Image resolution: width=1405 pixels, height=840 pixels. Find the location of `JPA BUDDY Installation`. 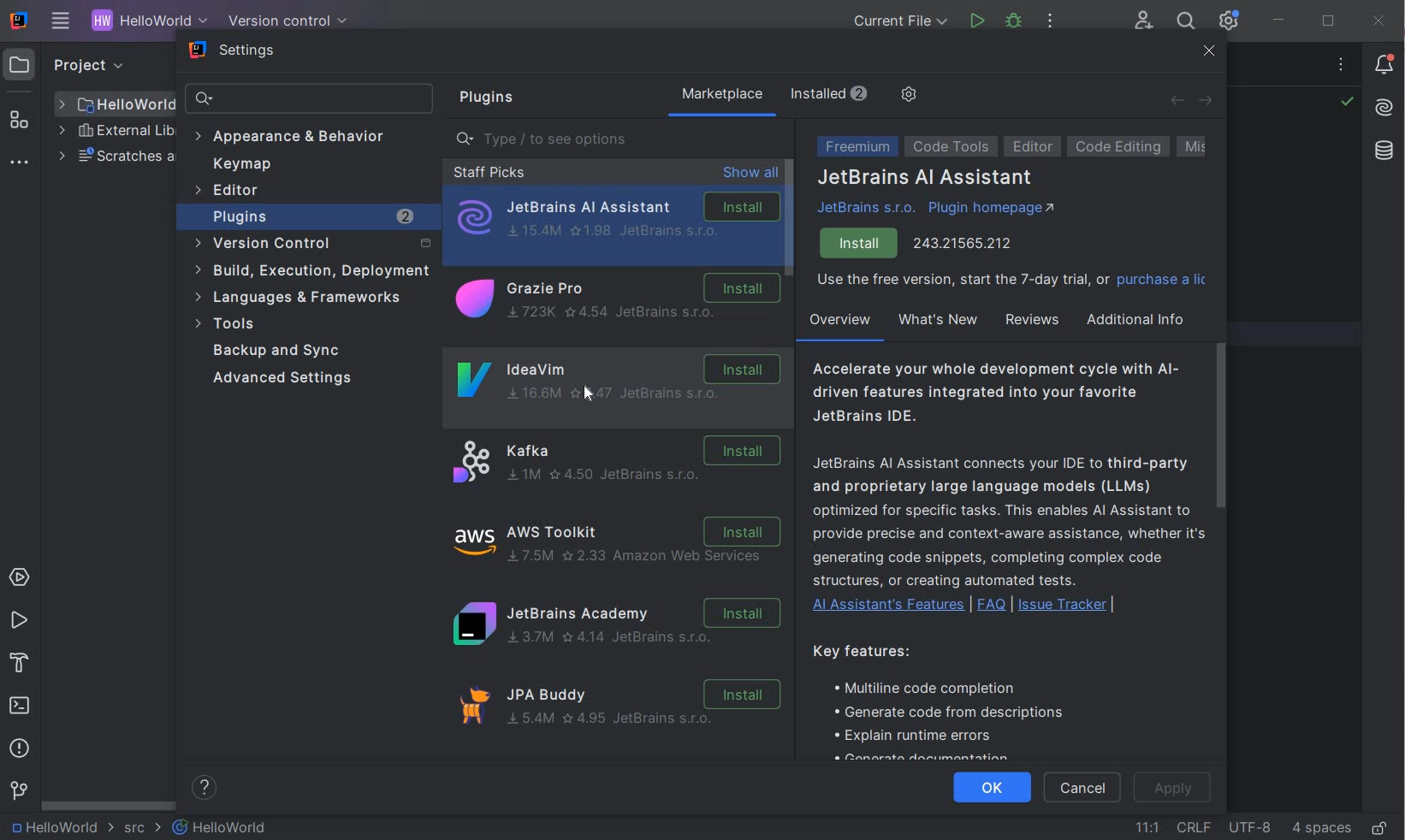

JPA BUDDY Installation is located at coordinates (621, 712).